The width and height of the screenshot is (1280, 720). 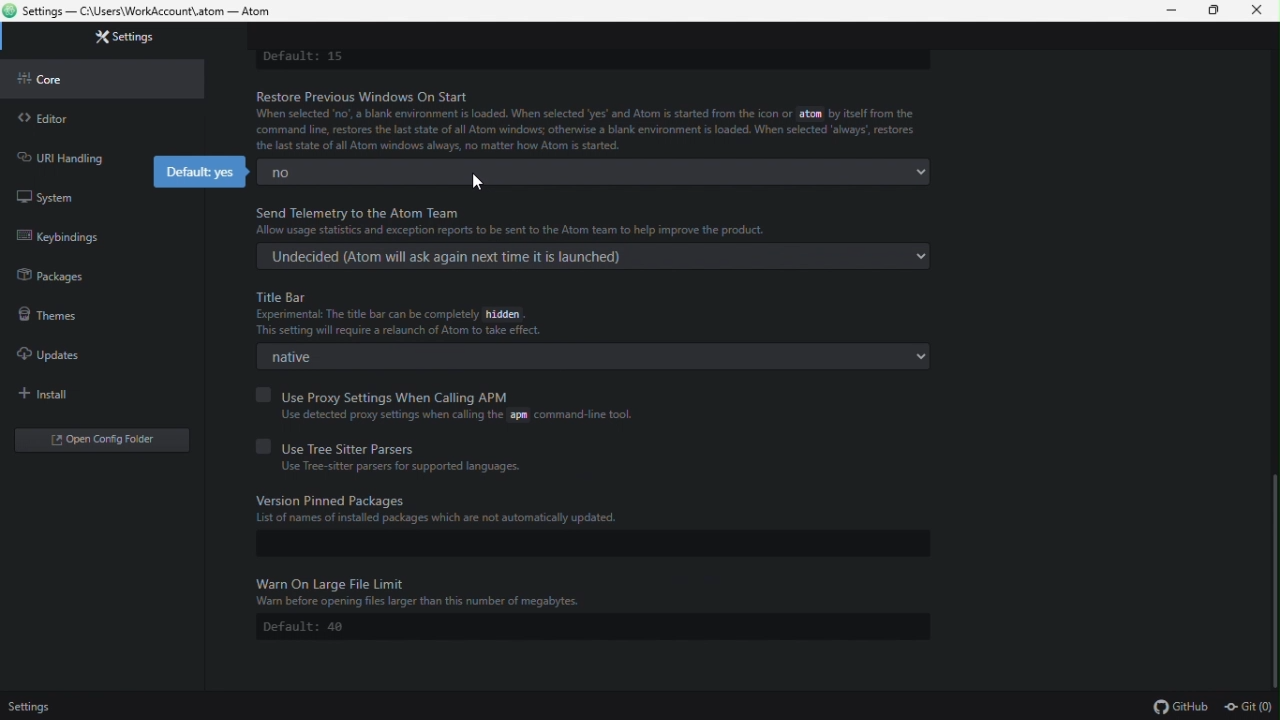 I want to click on close, so click(x=1260, y=11).